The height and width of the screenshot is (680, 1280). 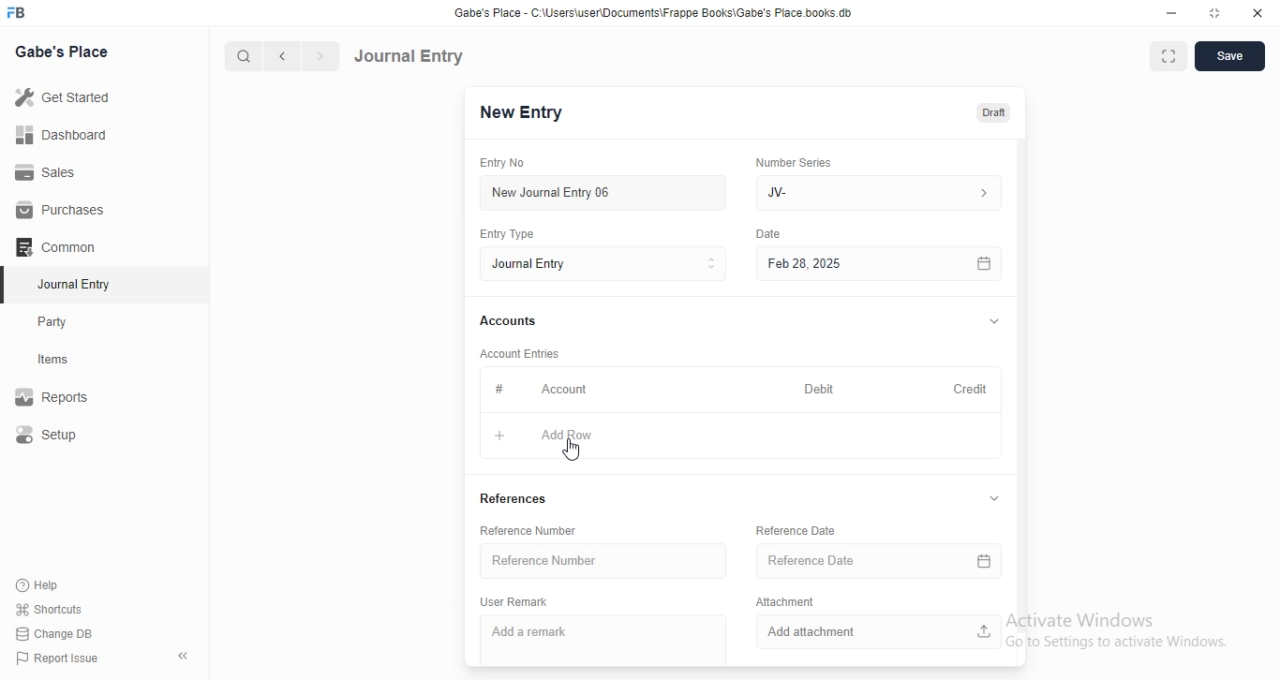 I want to click on Setup, so click(x=66, y=436).